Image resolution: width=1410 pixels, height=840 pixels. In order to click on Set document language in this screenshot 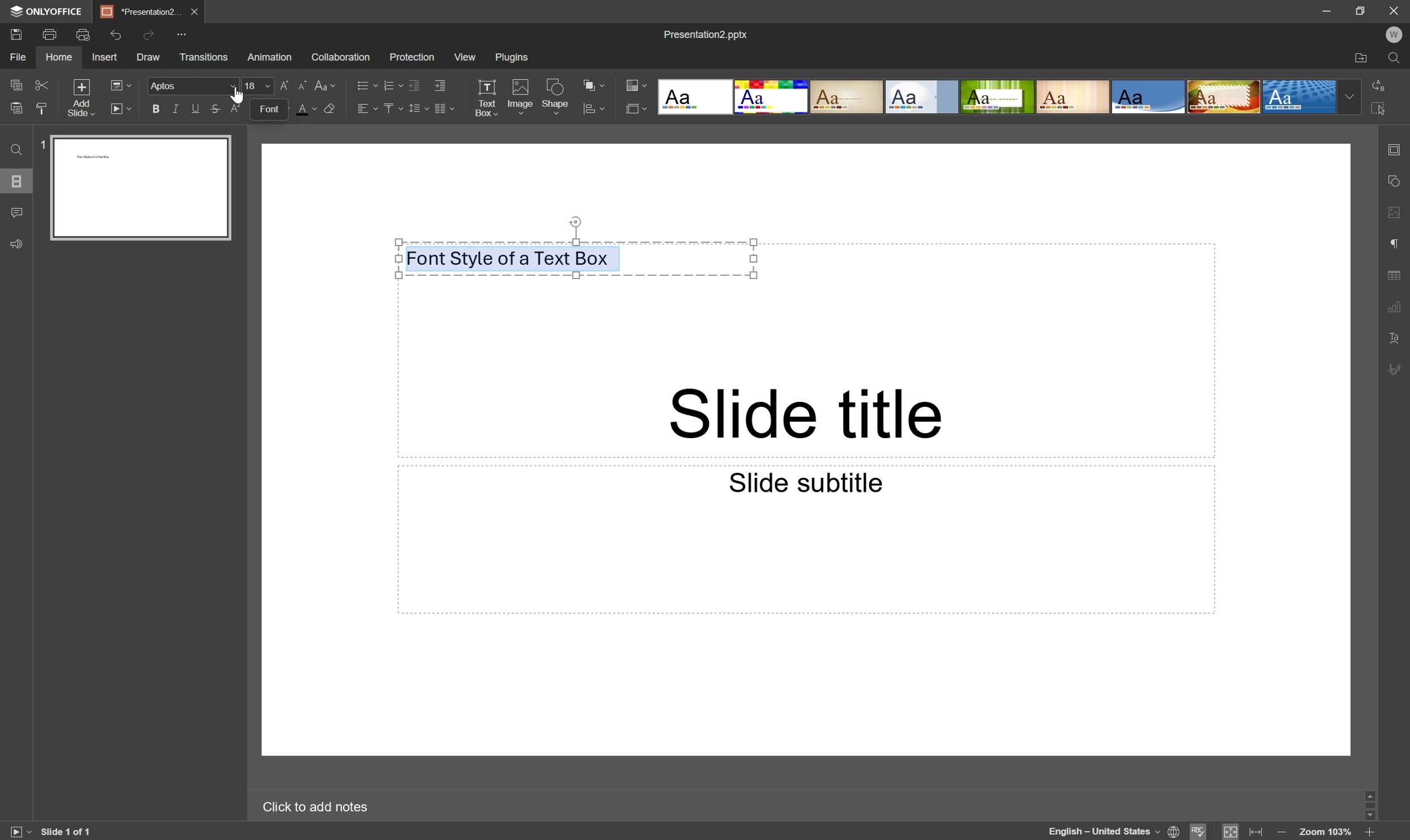, I will do `click(1175, 832)`.